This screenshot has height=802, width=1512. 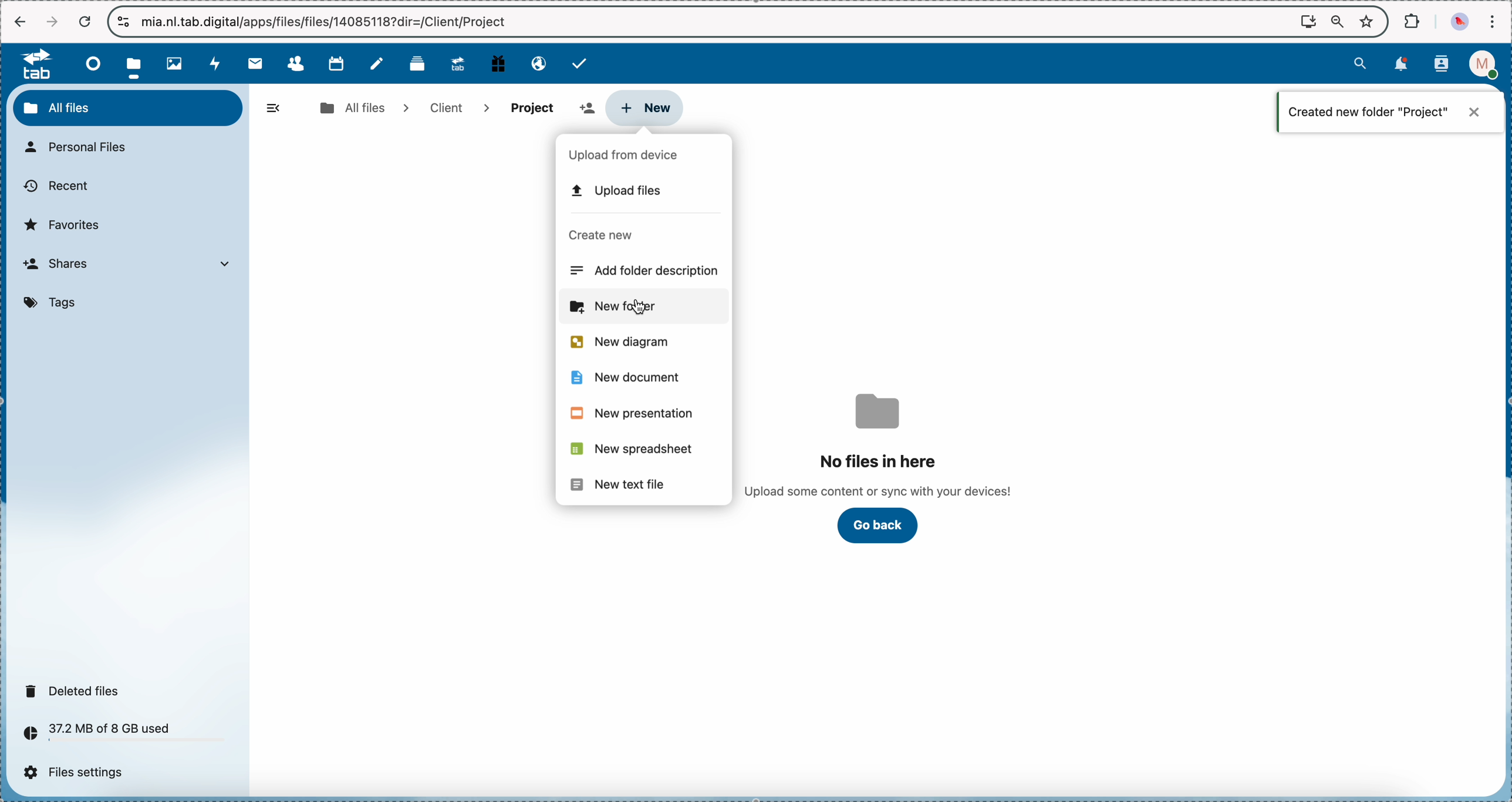 I want to click on email, so click(x=538, y=62).